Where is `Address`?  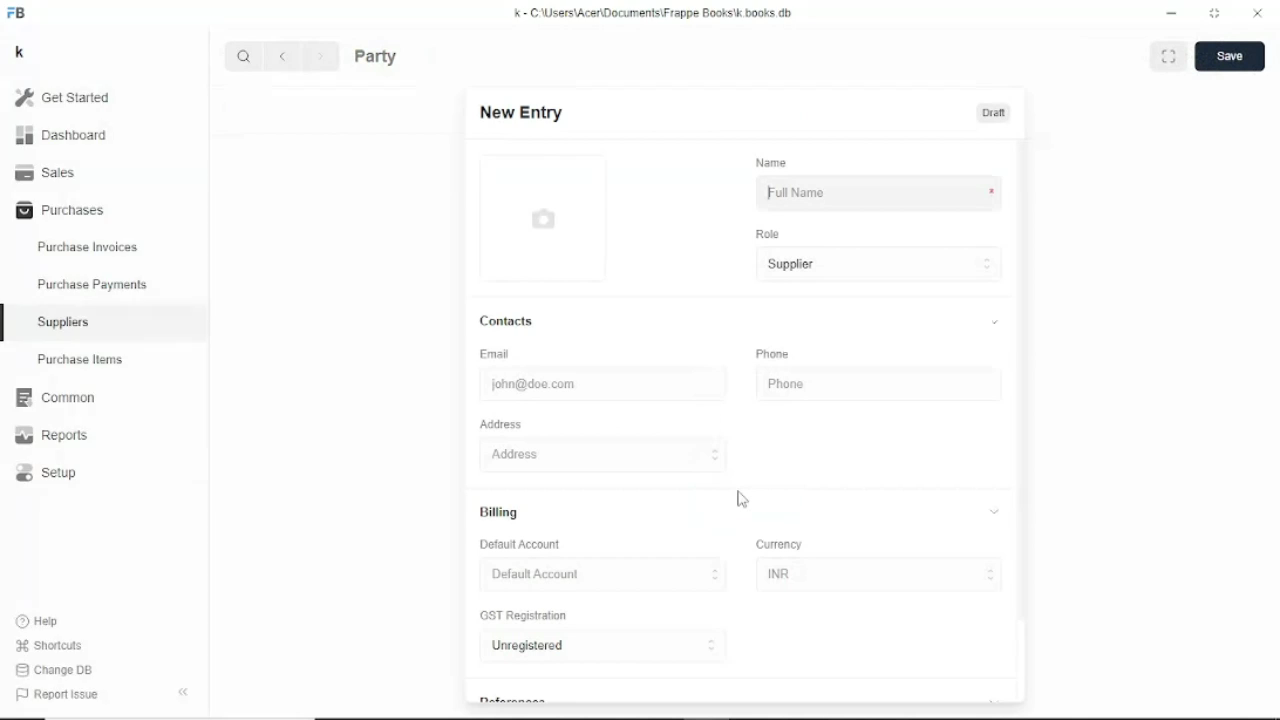
Address is located at coordinates (738, 454).